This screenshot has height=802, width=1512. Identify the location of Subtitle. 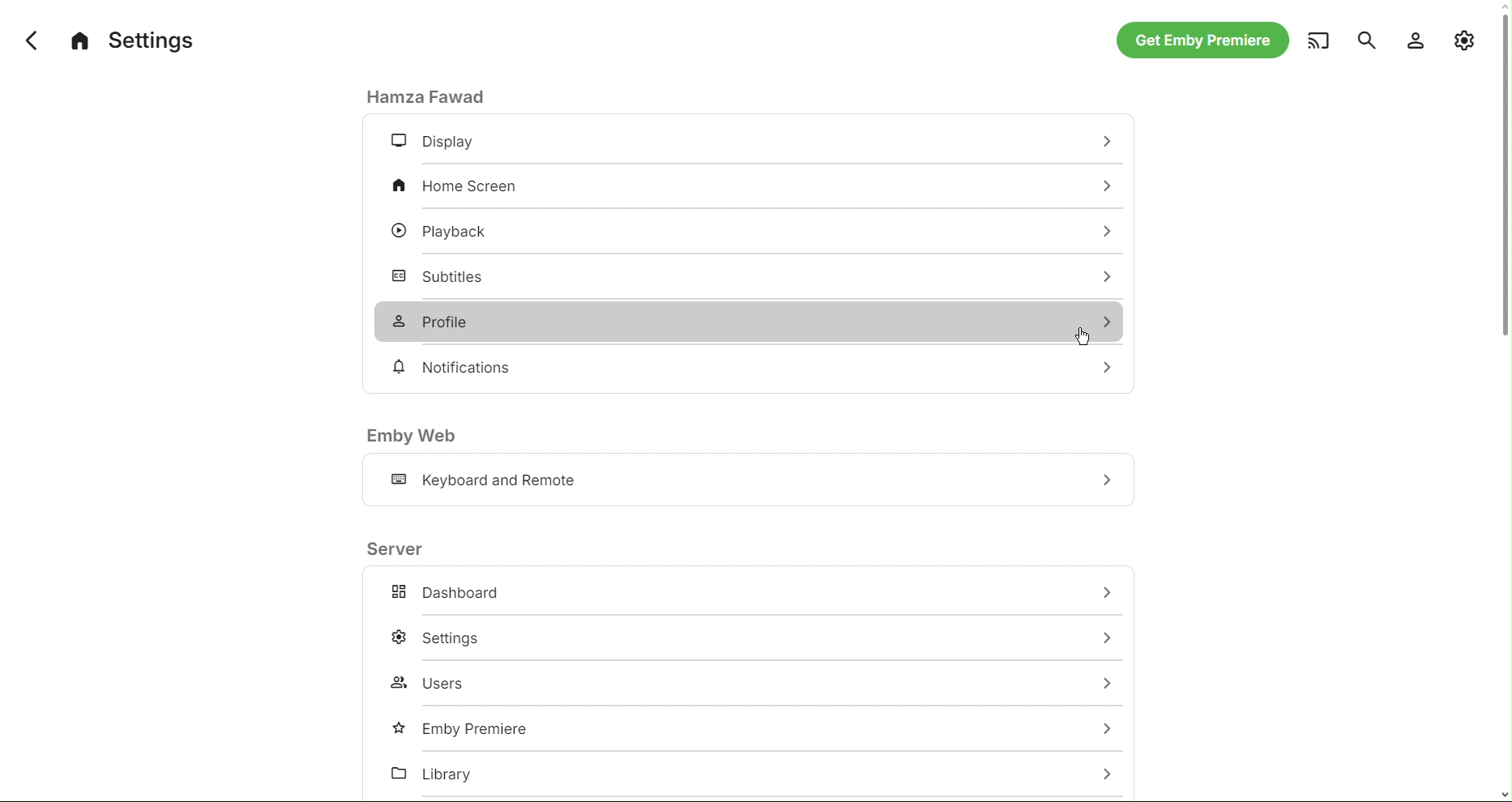
(440, 273).